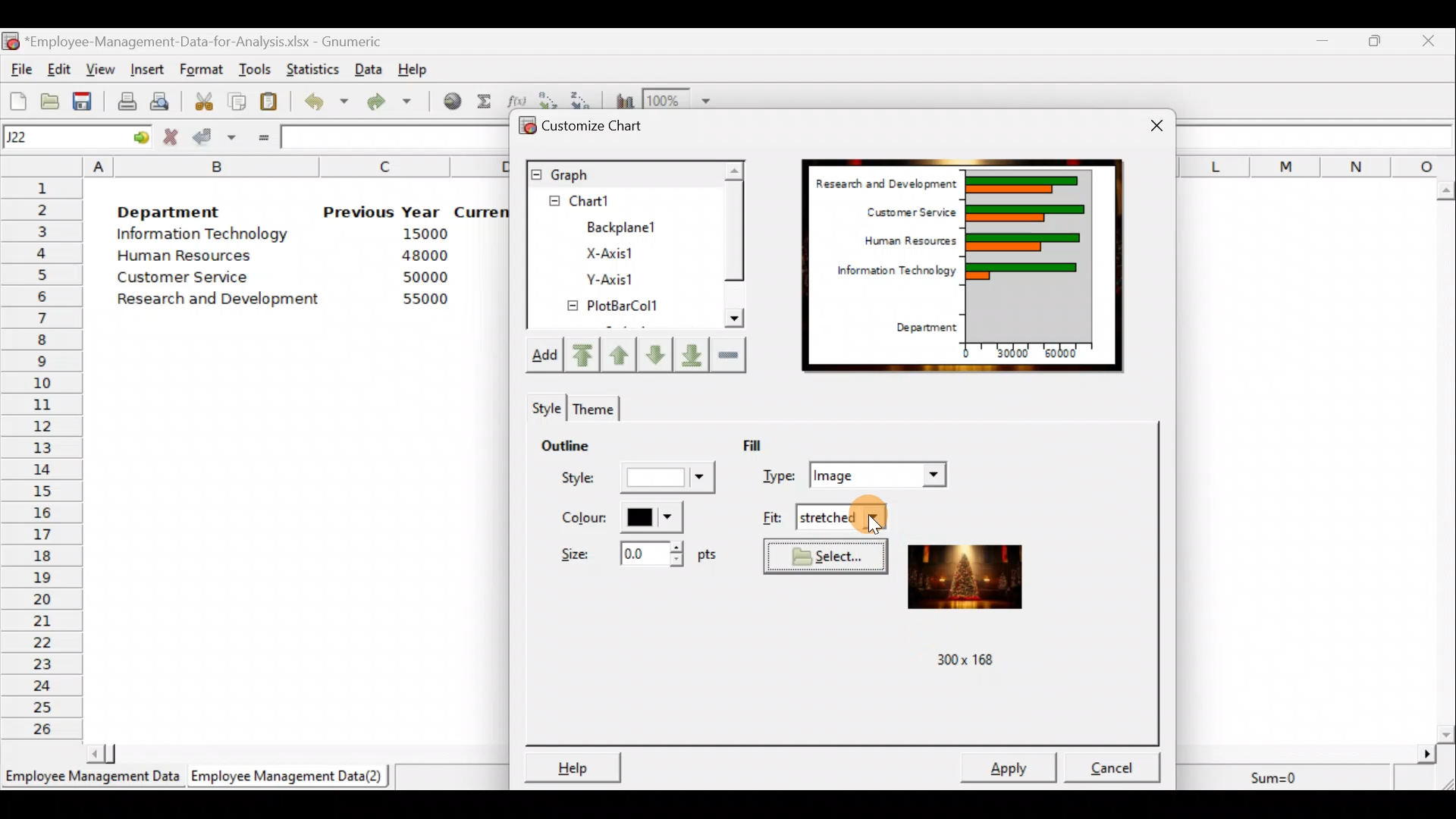  What do you see at coordinates (733, 247) in the screenshot?
I see `Scroll bar` at bounding box center [733, 247].